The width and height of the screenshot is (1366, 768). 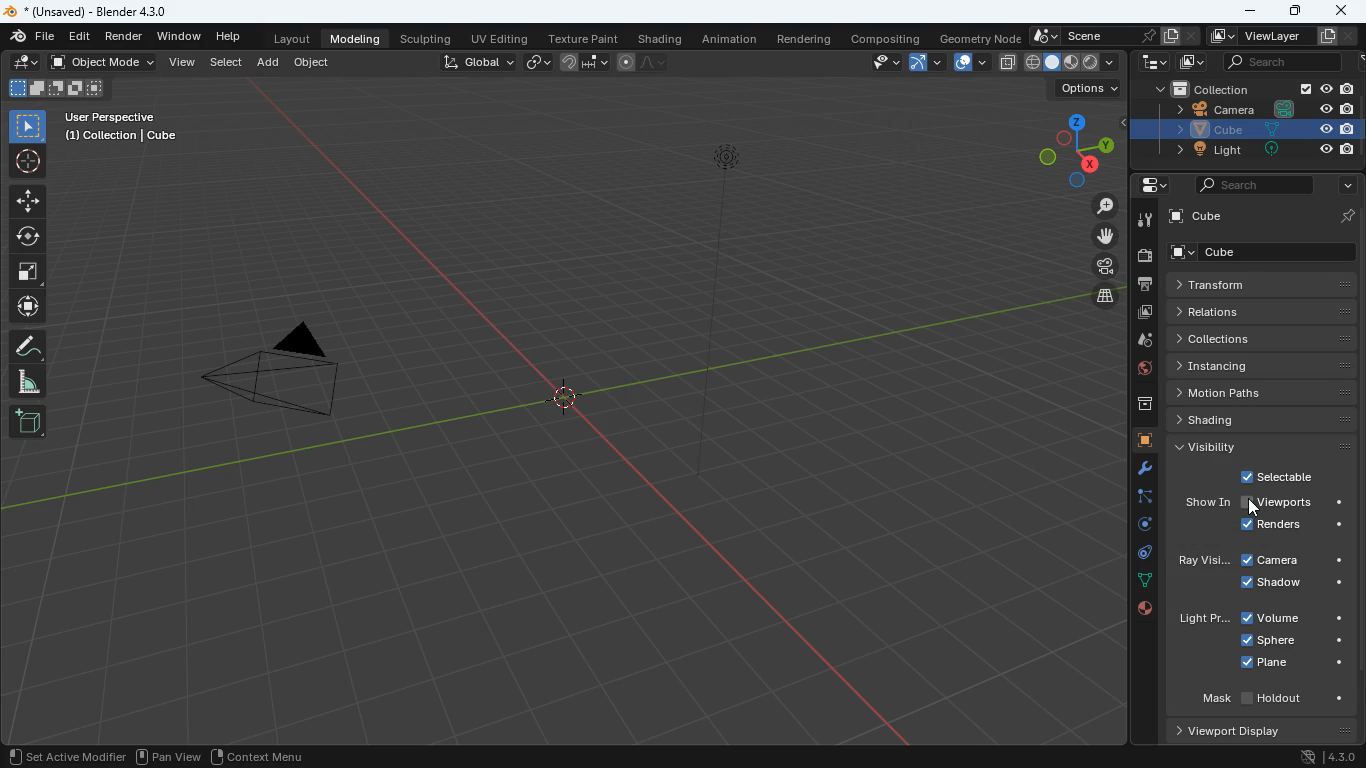 I want to click on edge, so click(x=1140, y=496).